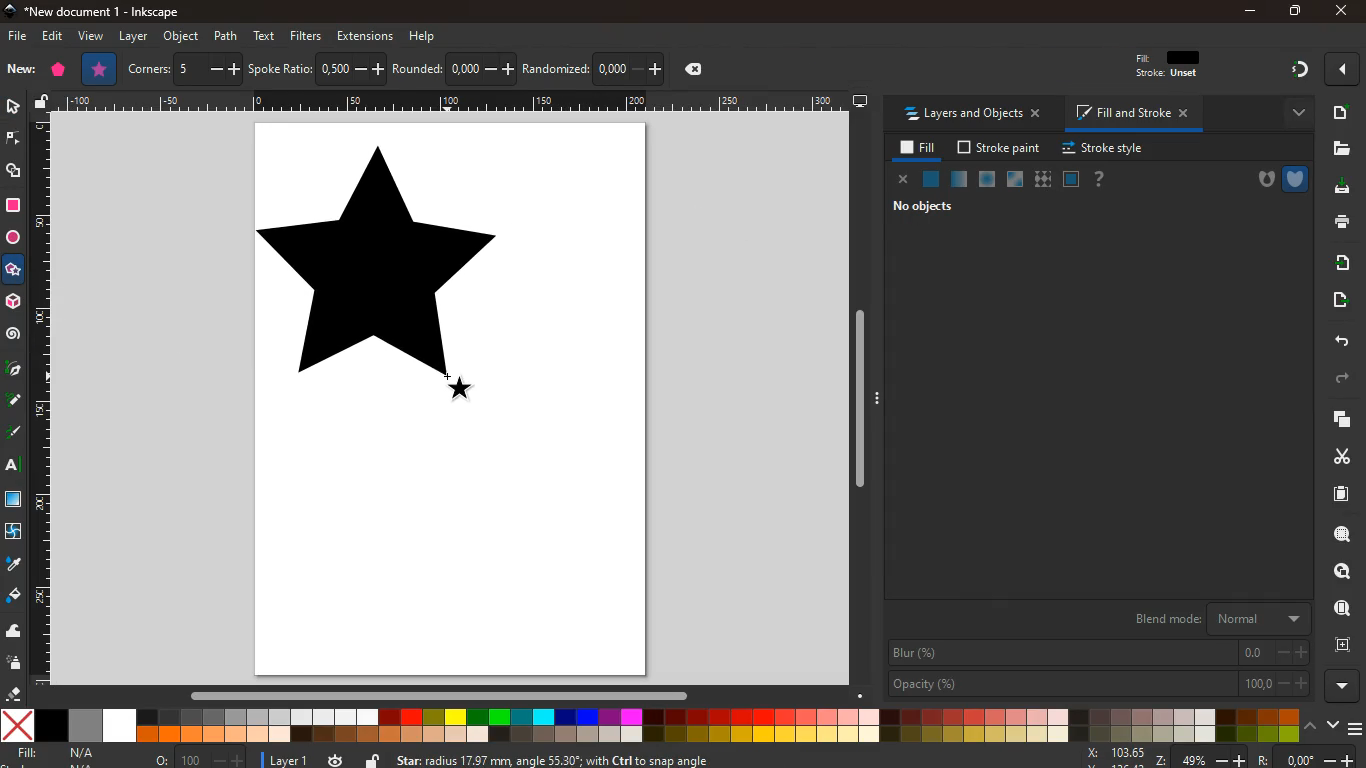 The image size is (1366, 768). I want to click on no objects, so click(925, 206).